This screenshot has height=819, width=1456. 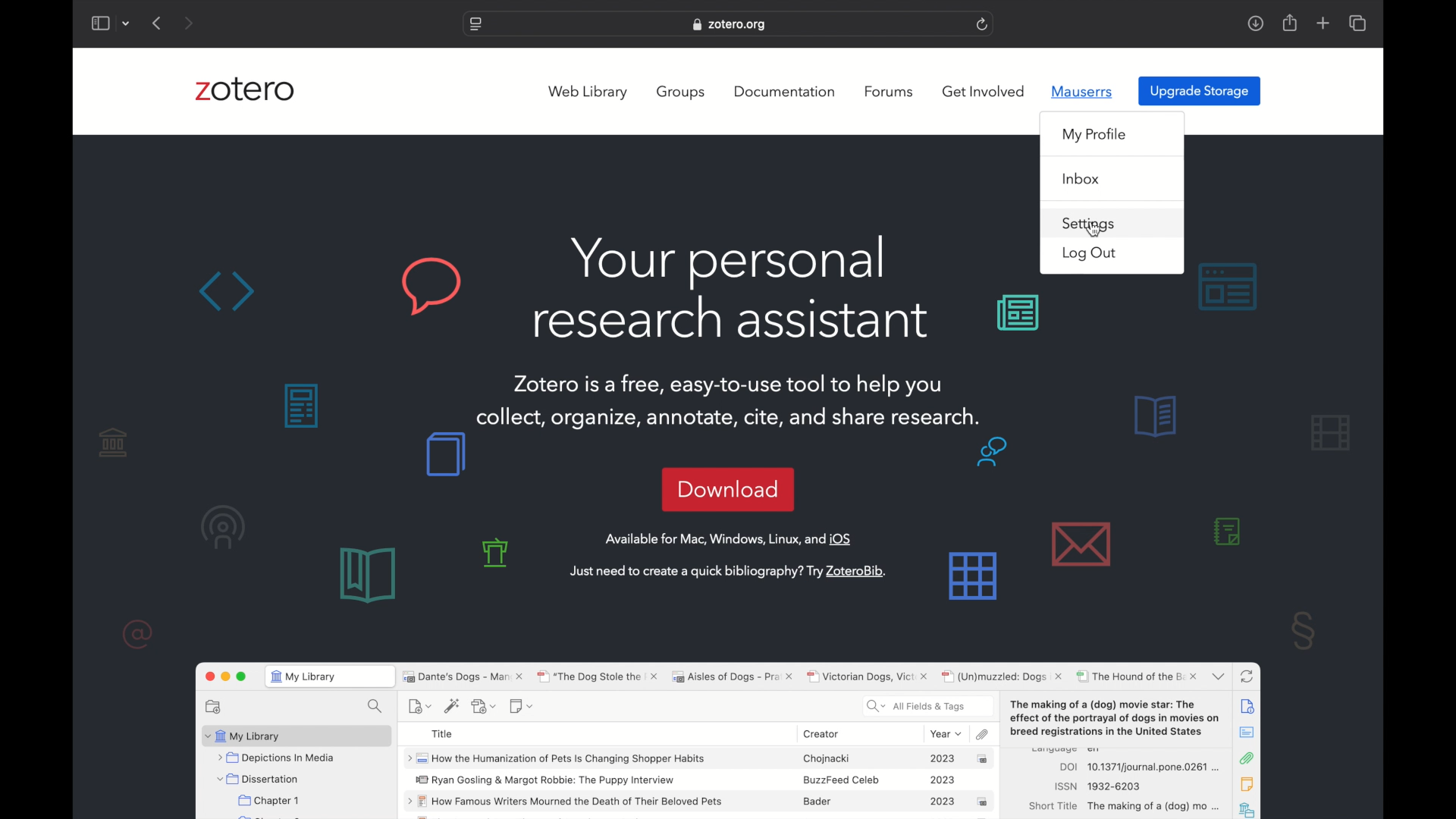 I want to click on zotero sotware preview, so click(x=730, y=738).